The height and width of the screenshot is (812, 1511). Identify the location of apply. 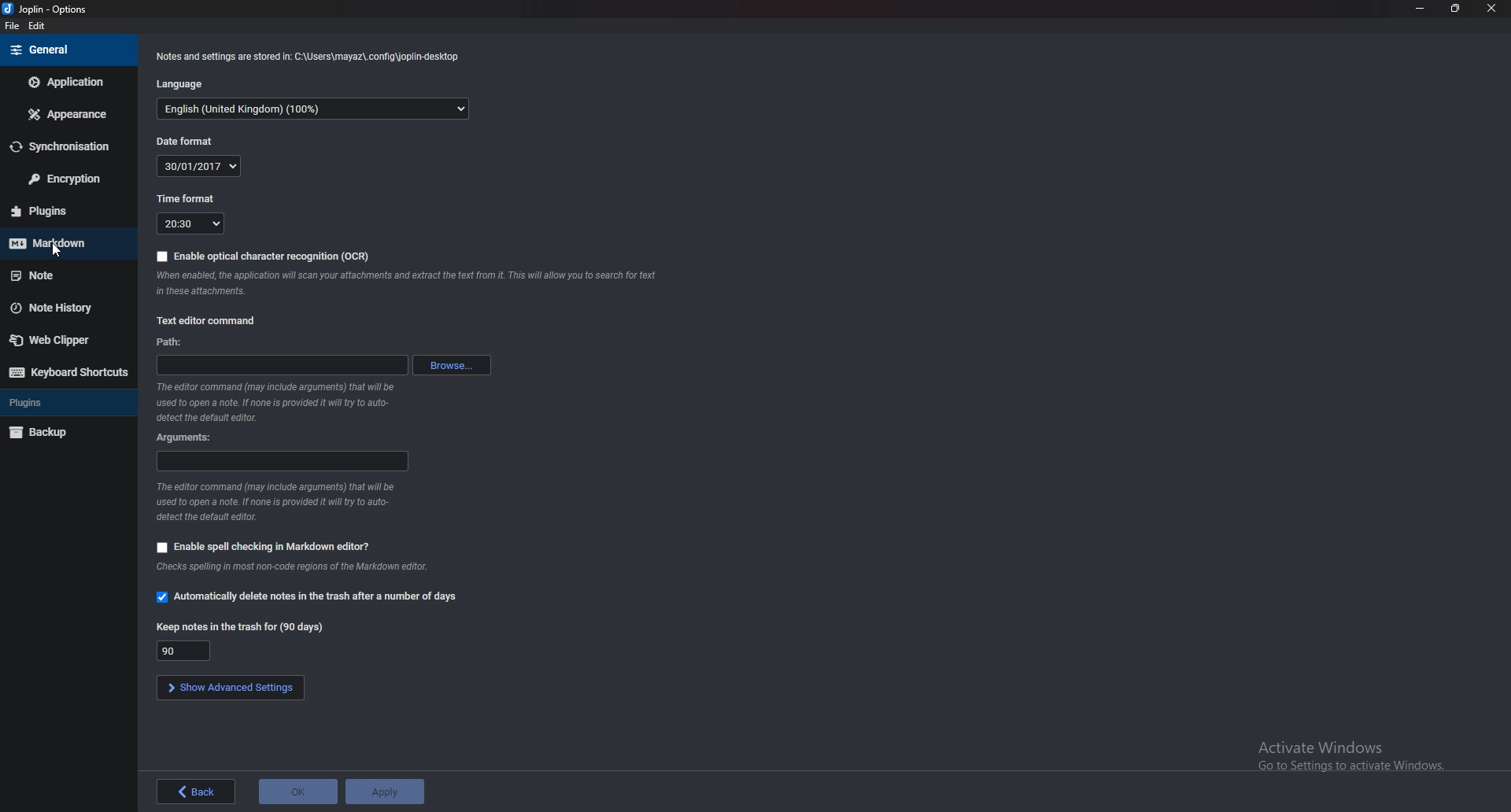
(382, 790).